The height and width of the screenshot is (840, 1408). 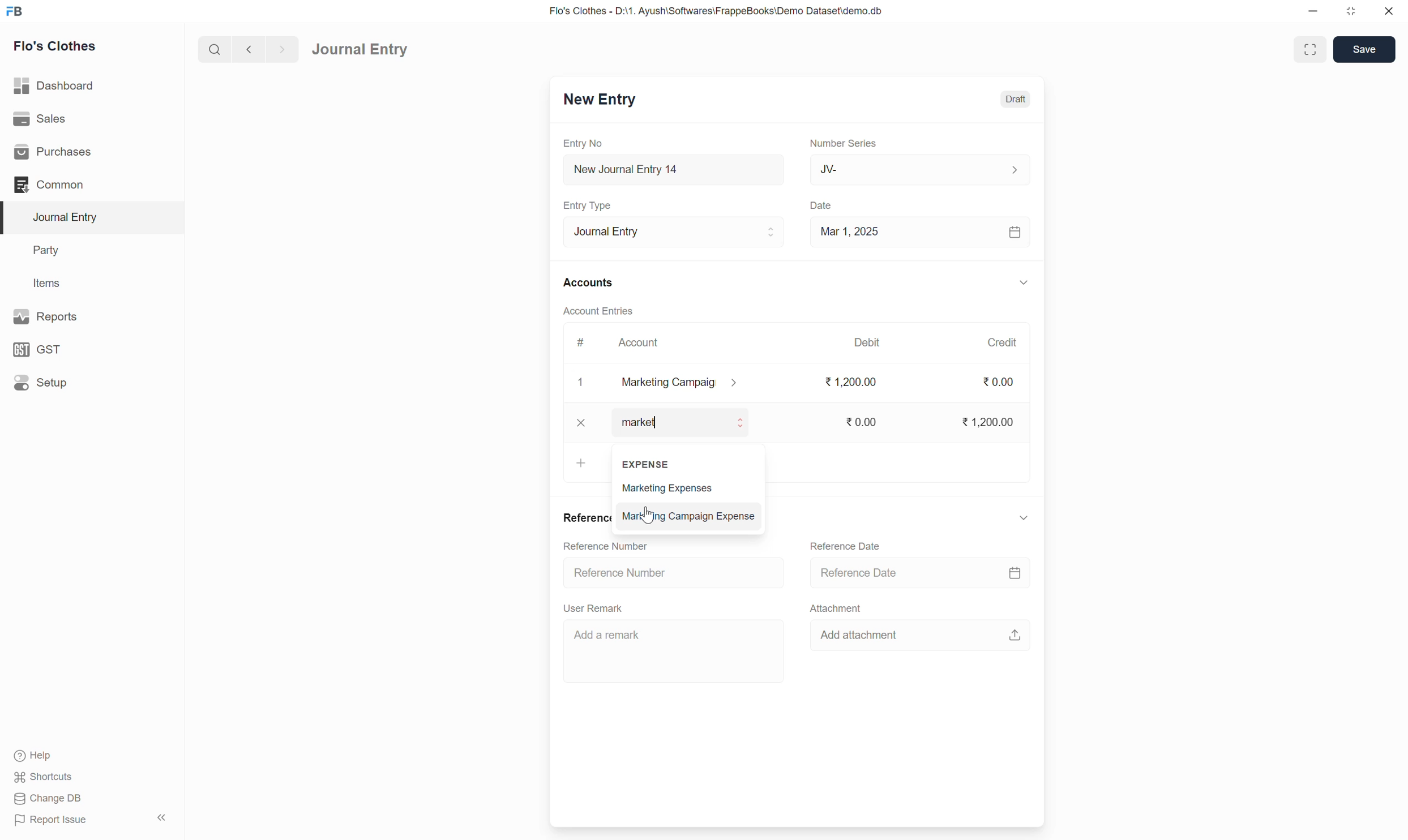 I want to click on close, so click(x=580, y=422).